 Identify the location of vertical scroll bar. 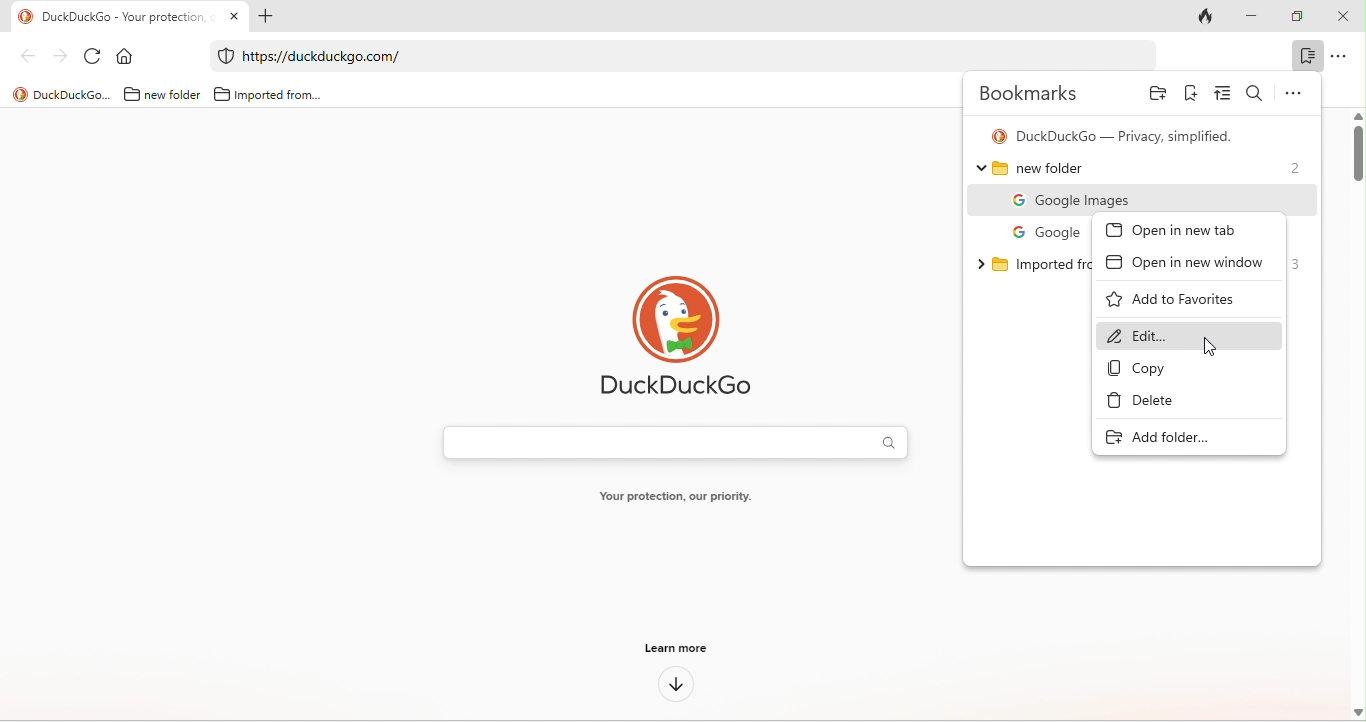
(1355, 152).